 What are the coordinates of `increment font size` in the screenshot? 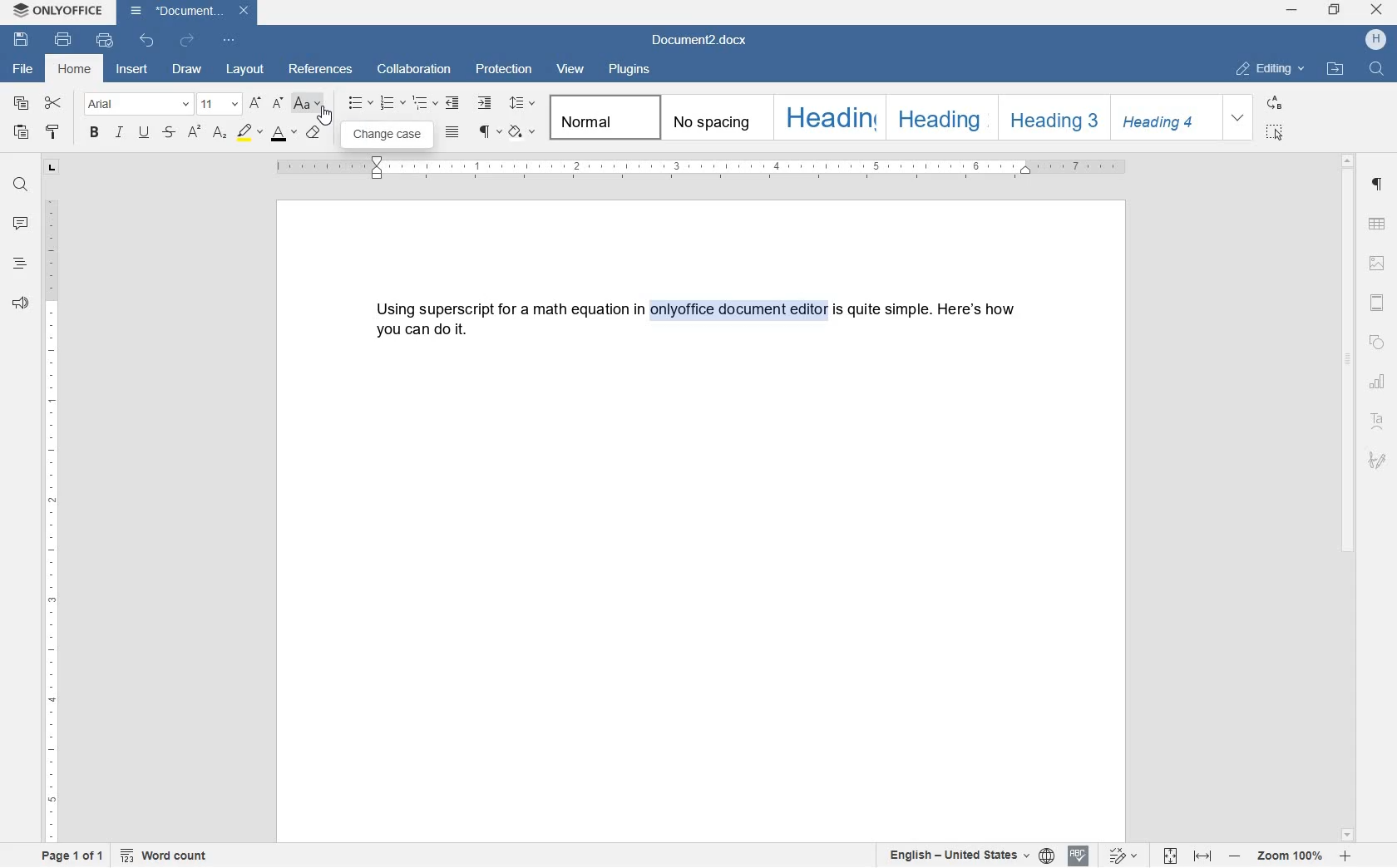 It's located at (254, 104).